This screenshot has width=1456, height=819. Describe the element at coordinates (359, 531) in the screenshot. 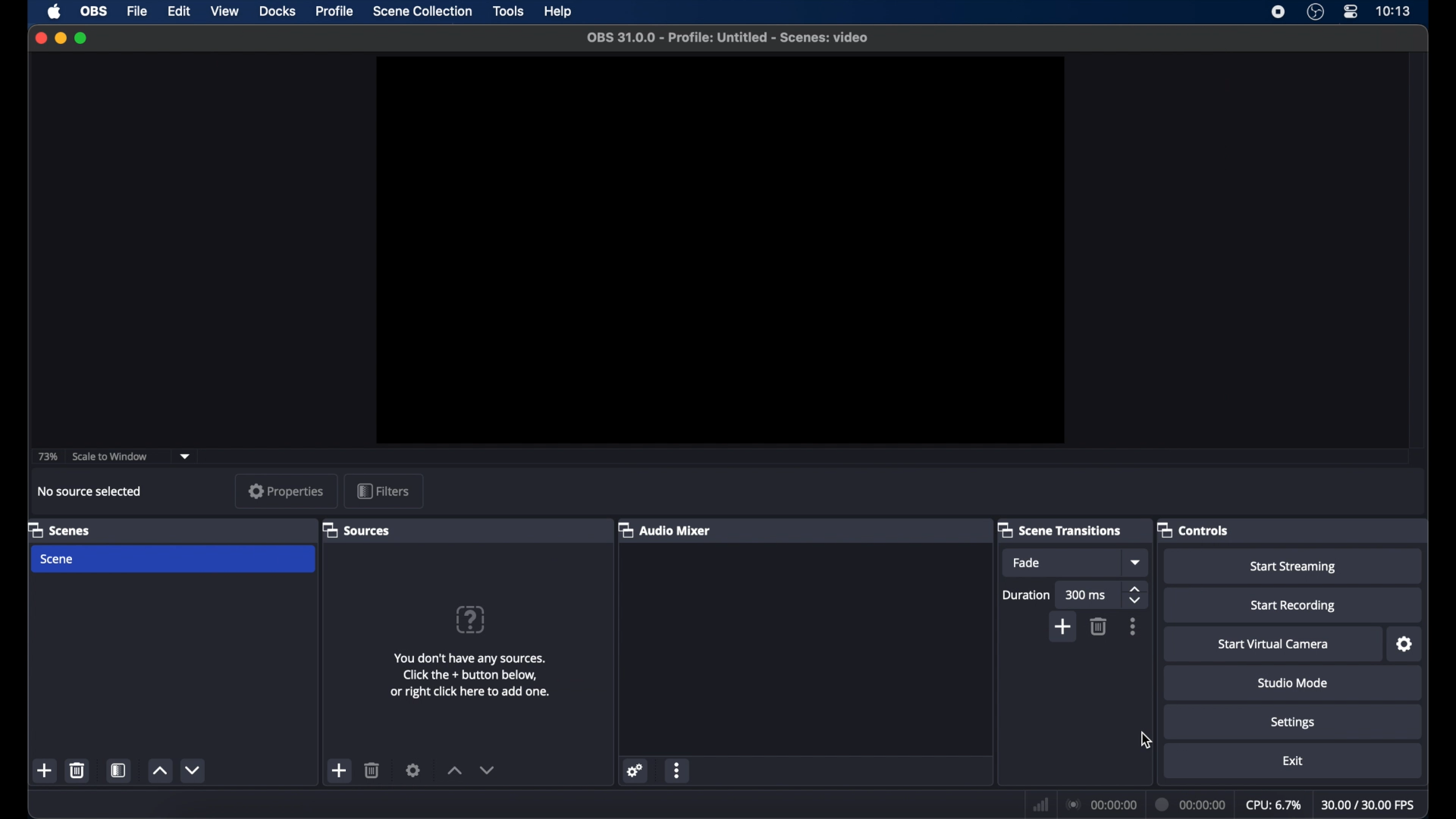

I see `sources` at that location.